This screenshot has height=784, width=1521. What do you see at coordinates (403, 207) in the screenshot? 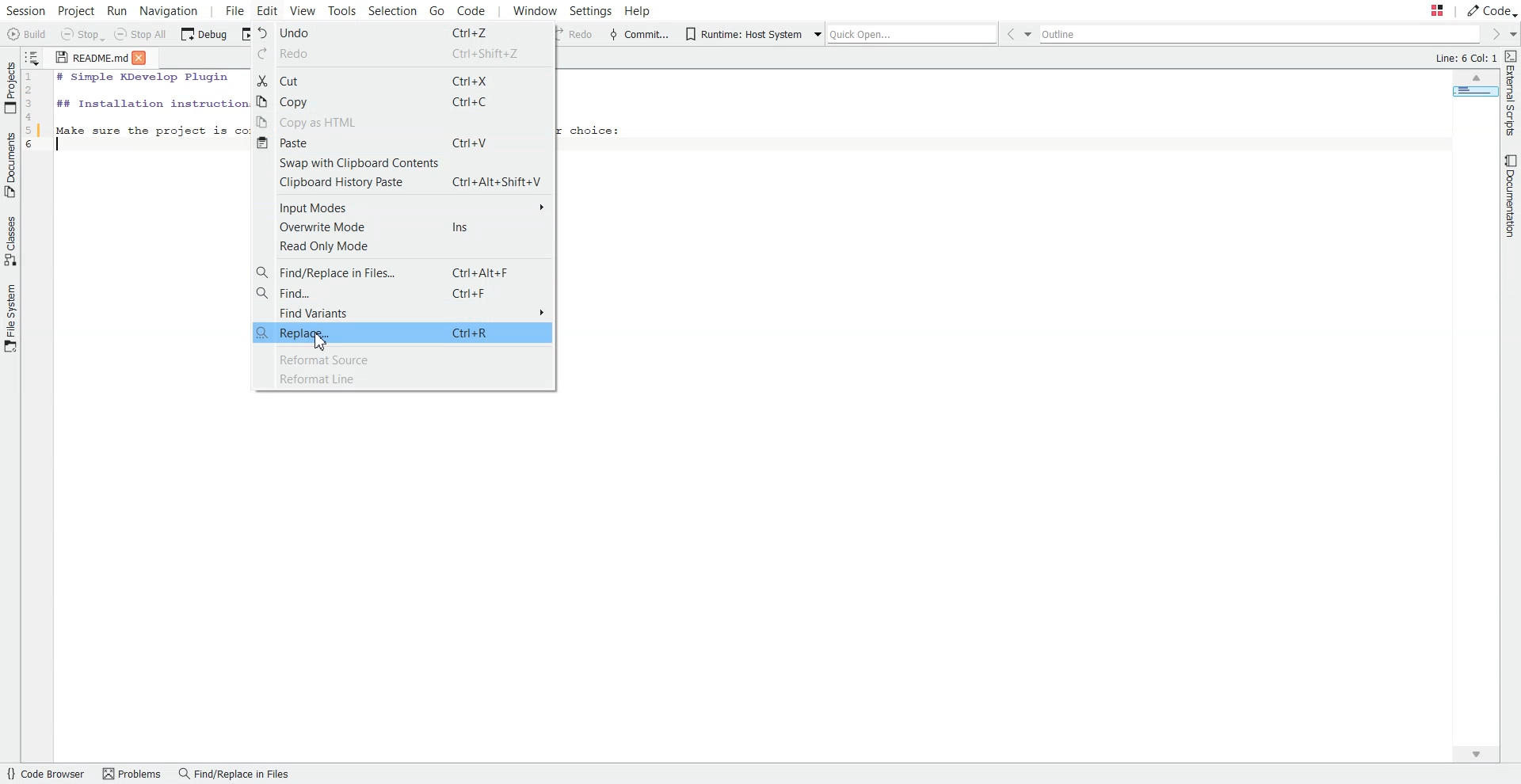
I see `Input Modes` at bounding box center [403, 207].